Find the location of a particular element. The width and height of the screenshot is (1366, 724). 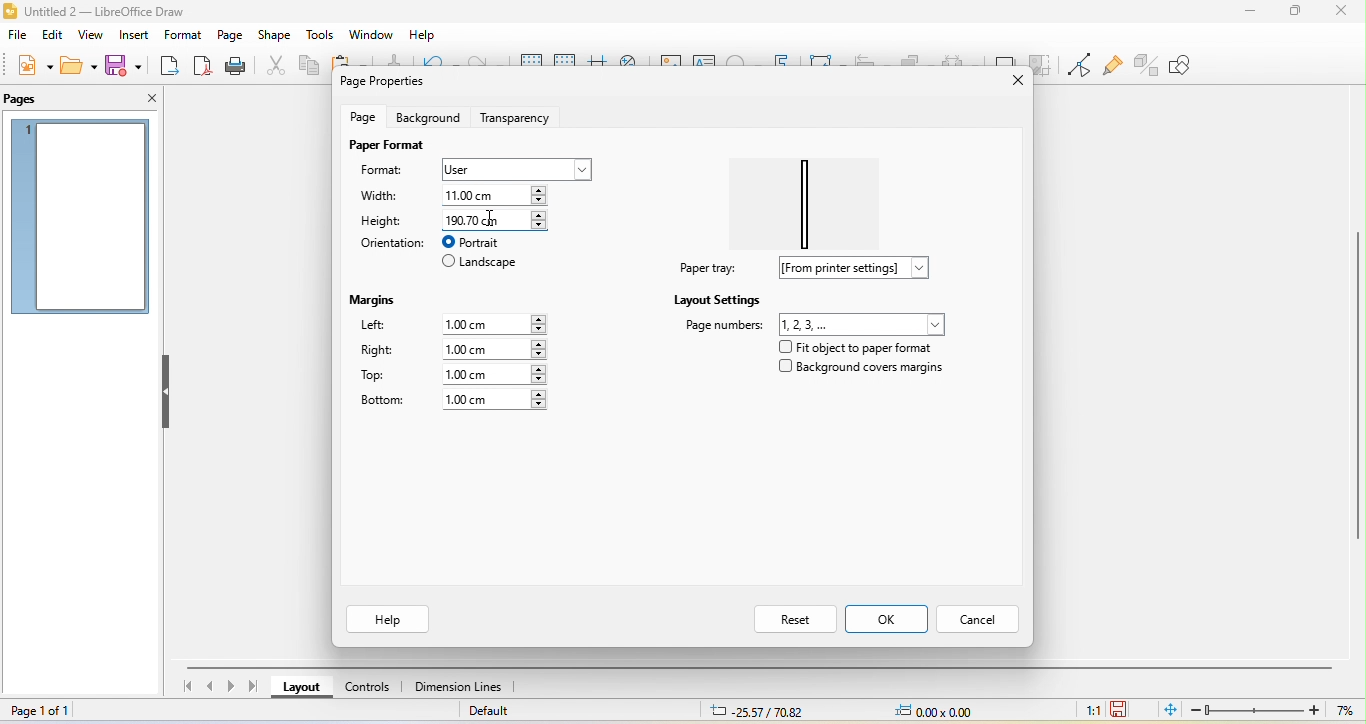

export directly as pdf is located at coordinates (202, 66).